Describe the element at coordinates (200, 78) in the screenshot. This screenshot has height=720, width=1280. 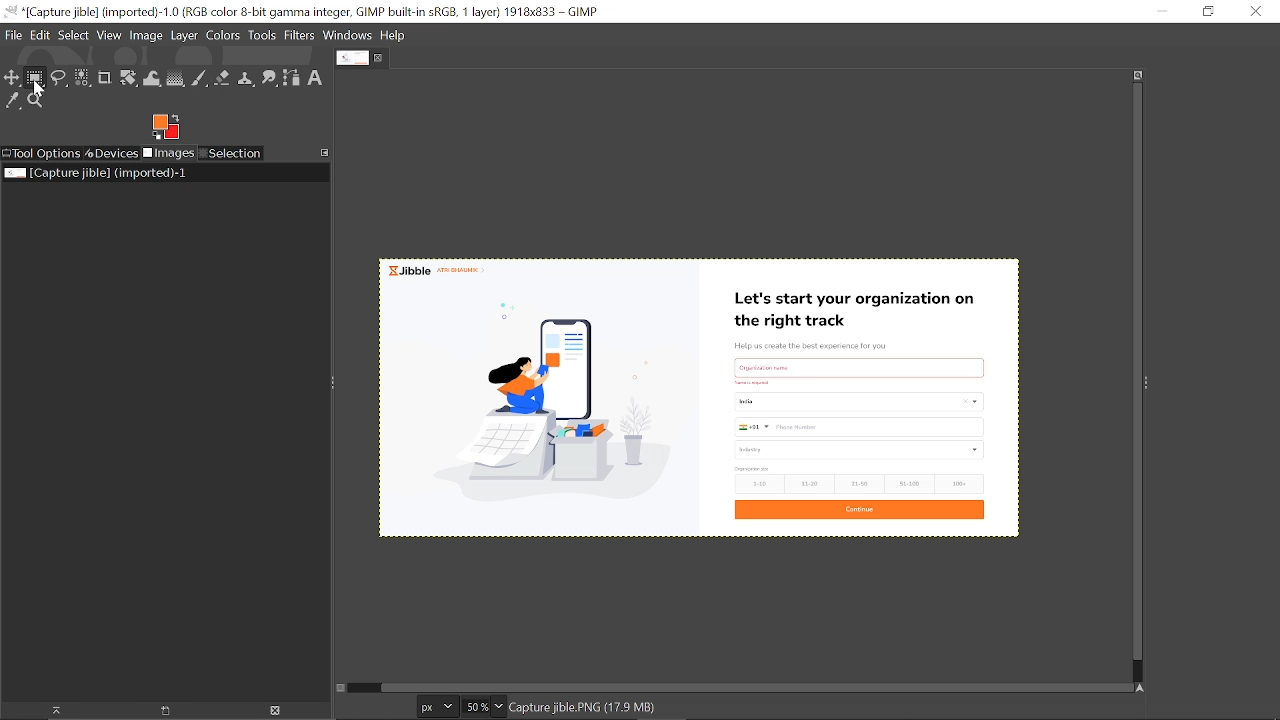
I see `Paintbrush tool` at that location.